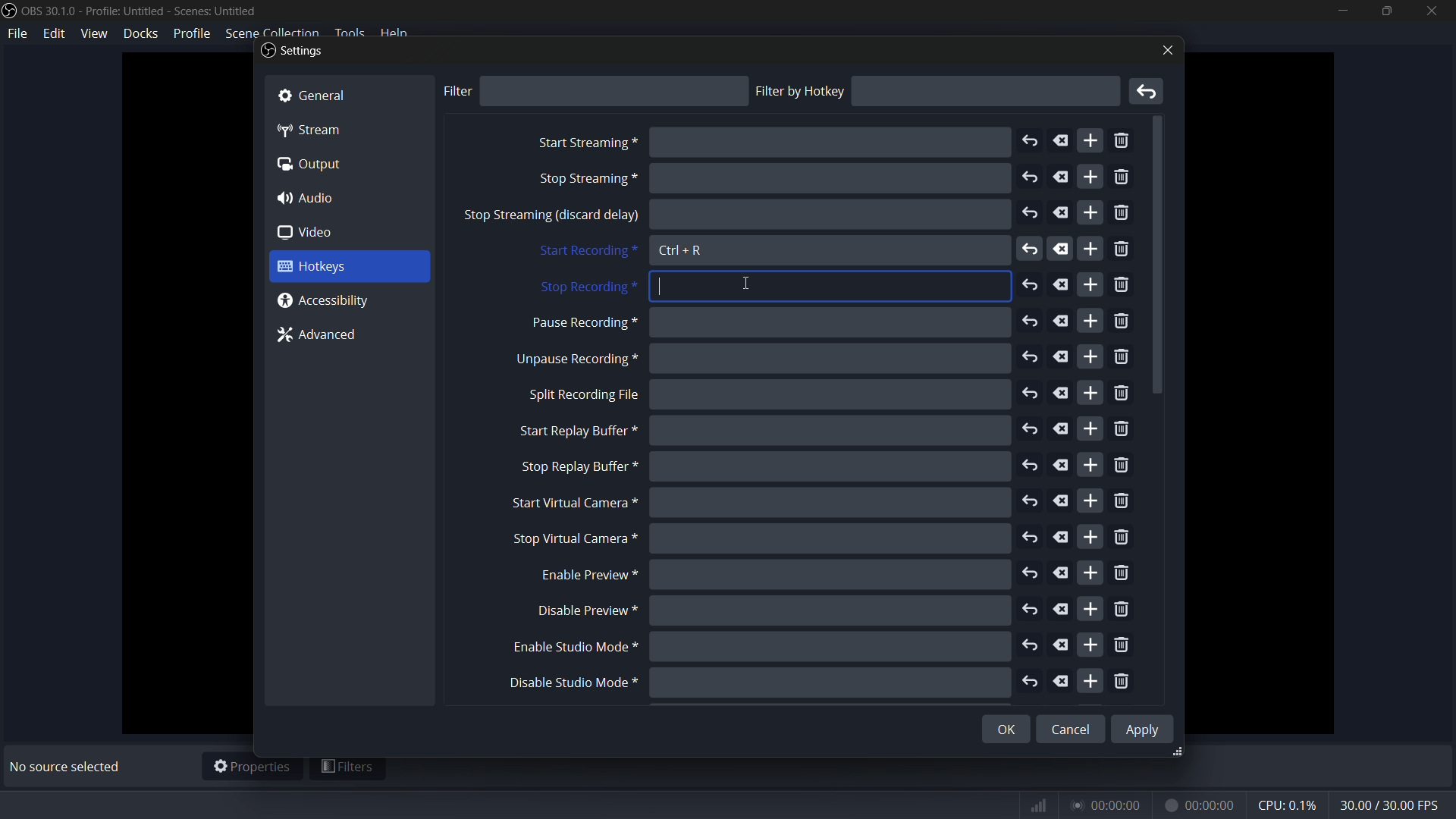  I want to click on minimize, so click(1342, 11).